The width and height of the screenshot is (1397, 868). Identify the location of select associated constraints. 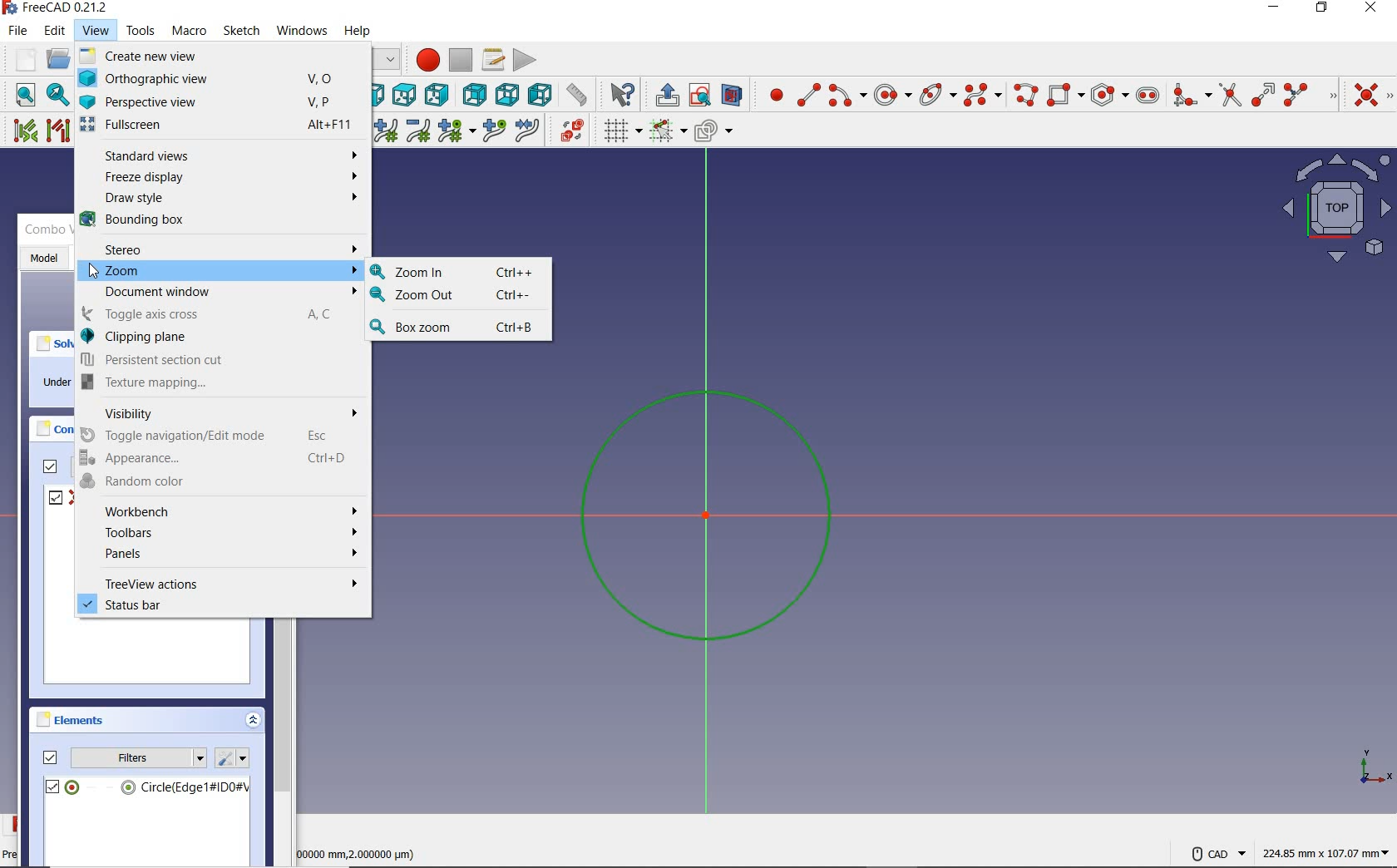
(20, 129).